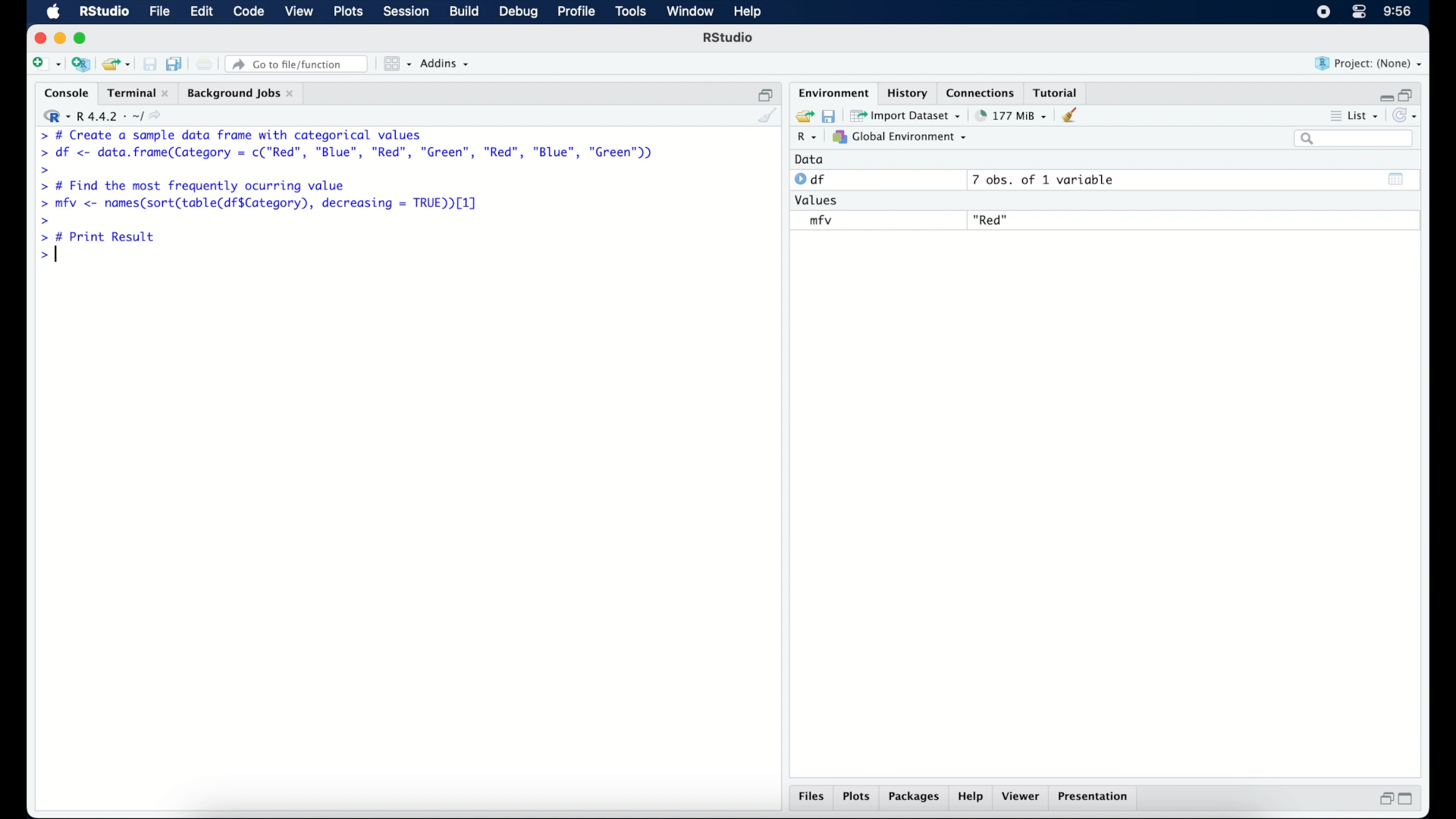 The image size is (1456, 819). Describe the element at coordinates (1369, 63) in the screenshot. I see `project (none)` at that location.